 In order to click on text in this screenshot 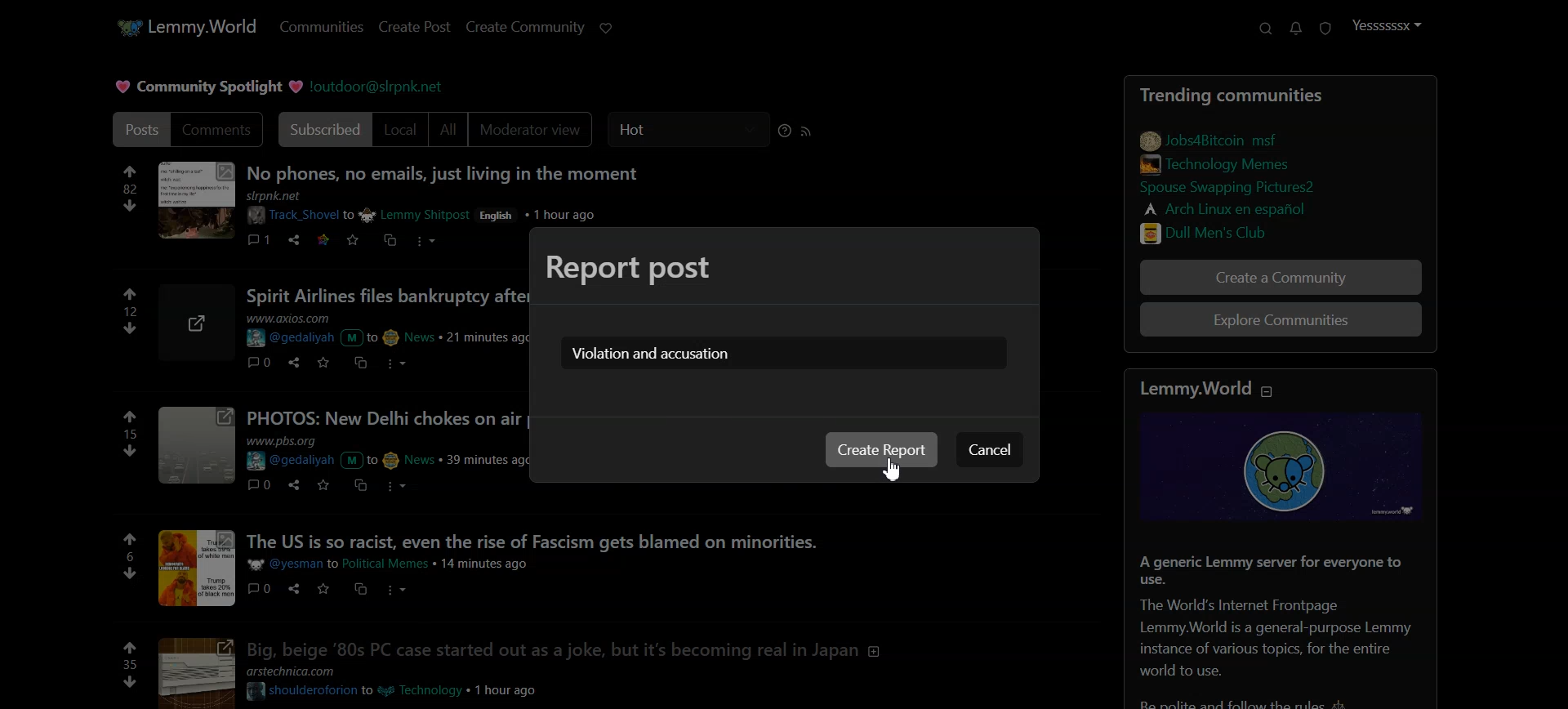, I will do `click(1205, 389)`.